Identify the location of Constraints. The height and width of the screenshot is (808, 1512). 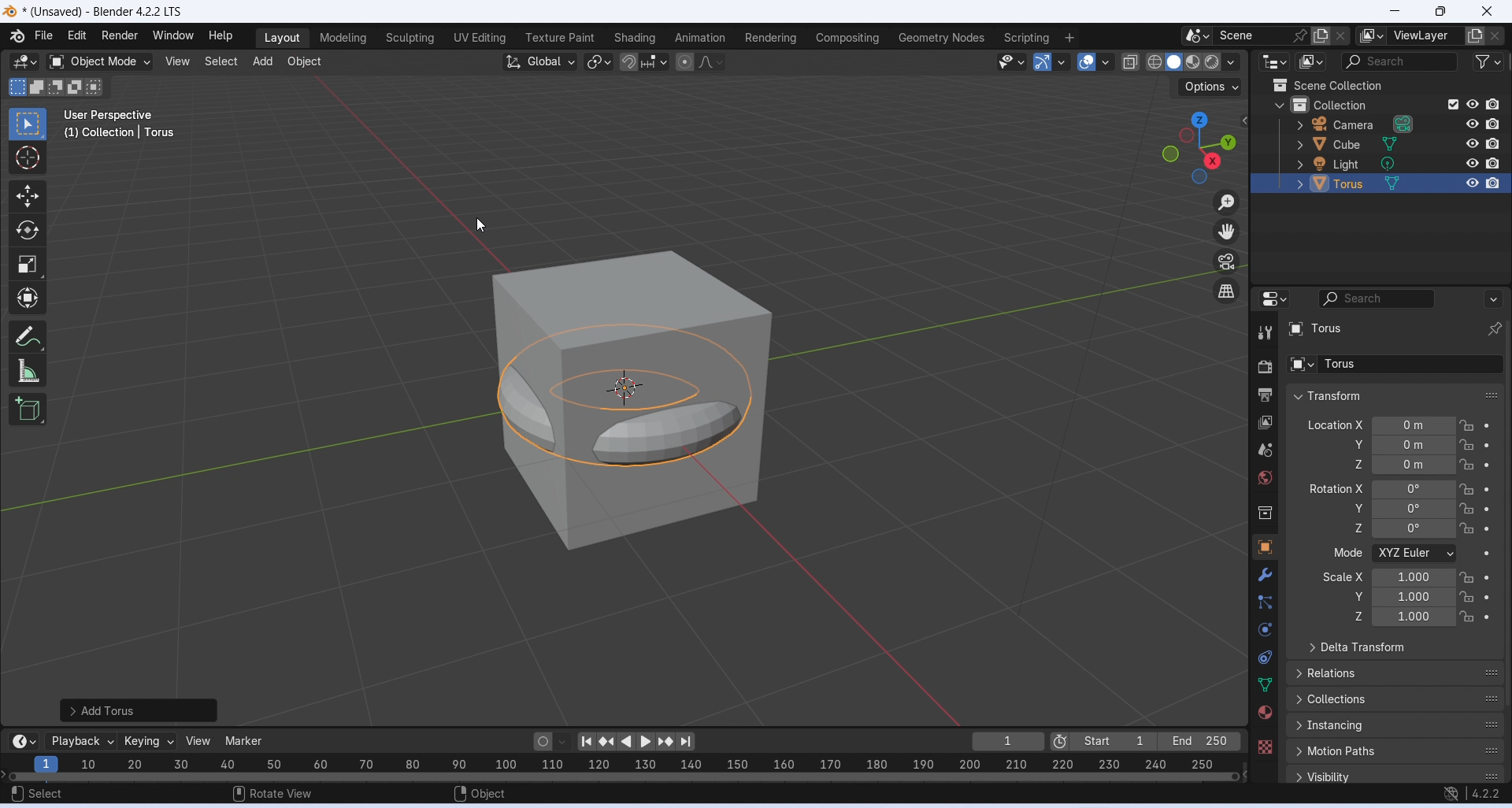
(1265, 657).